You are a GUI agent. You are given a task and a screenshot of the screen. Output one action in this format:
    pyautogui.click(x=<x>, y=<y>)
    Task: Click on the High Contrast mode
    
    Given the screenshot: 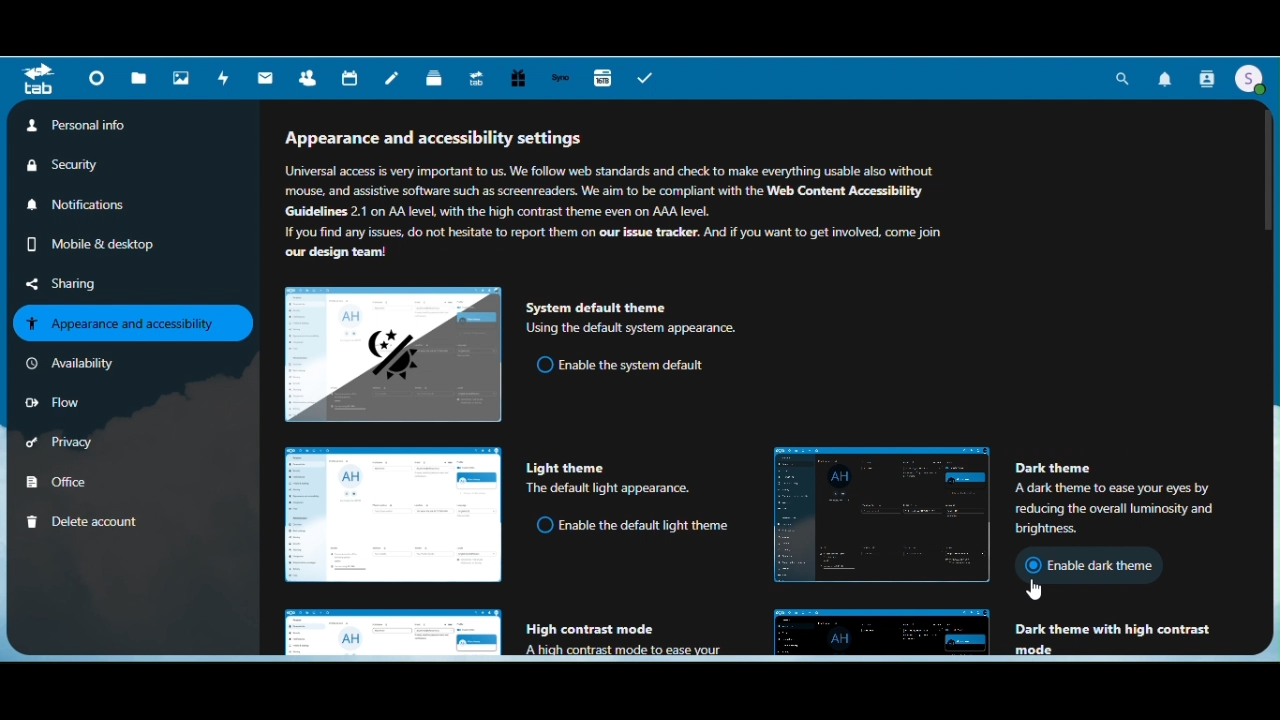 What is the action you would take?
    pyautogui.click(x=496, y=631)
    